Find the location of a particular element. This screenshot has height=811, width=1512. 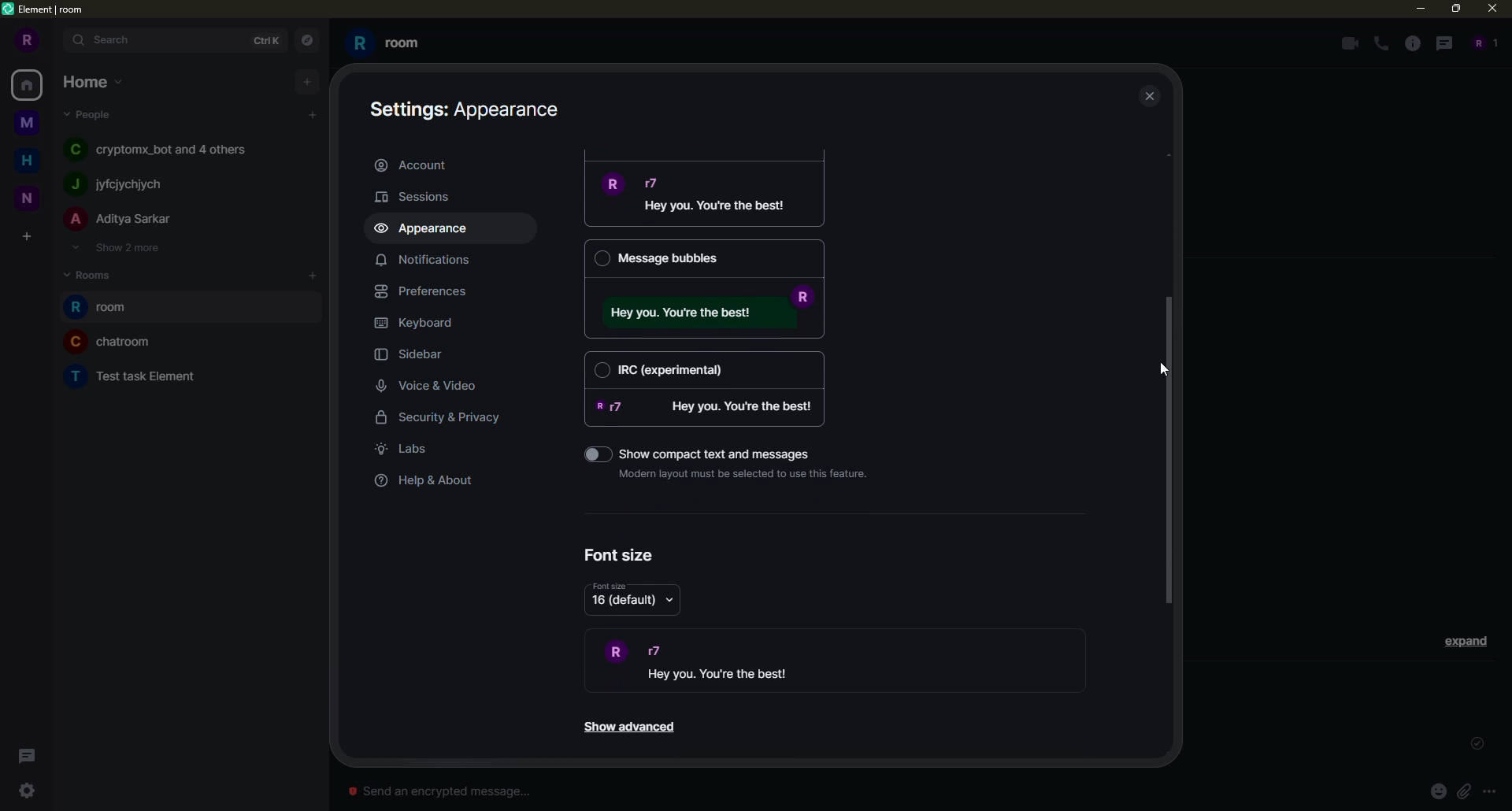

video call is located at coordinates (1347, 43).